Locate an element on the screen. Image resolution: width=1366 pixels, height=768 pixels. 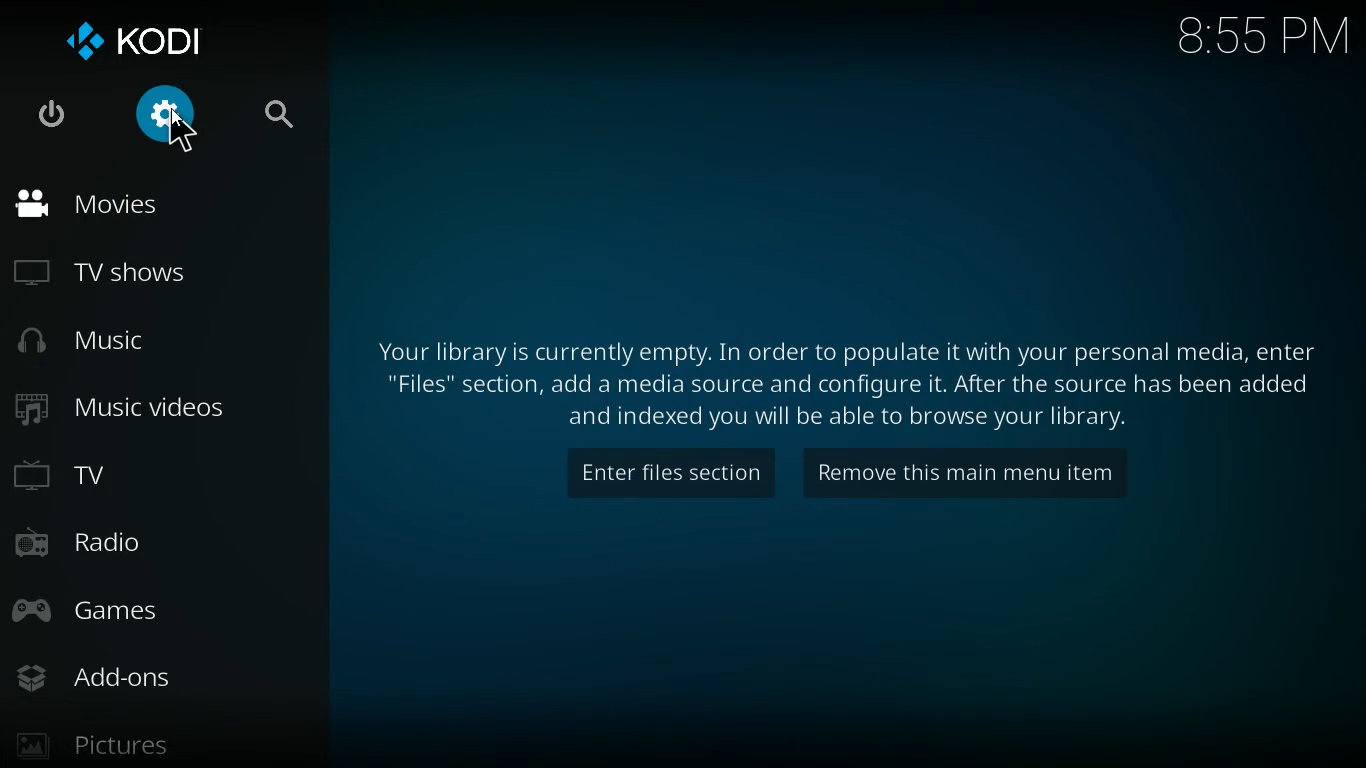
music videos is located at coordinates (133, 417).